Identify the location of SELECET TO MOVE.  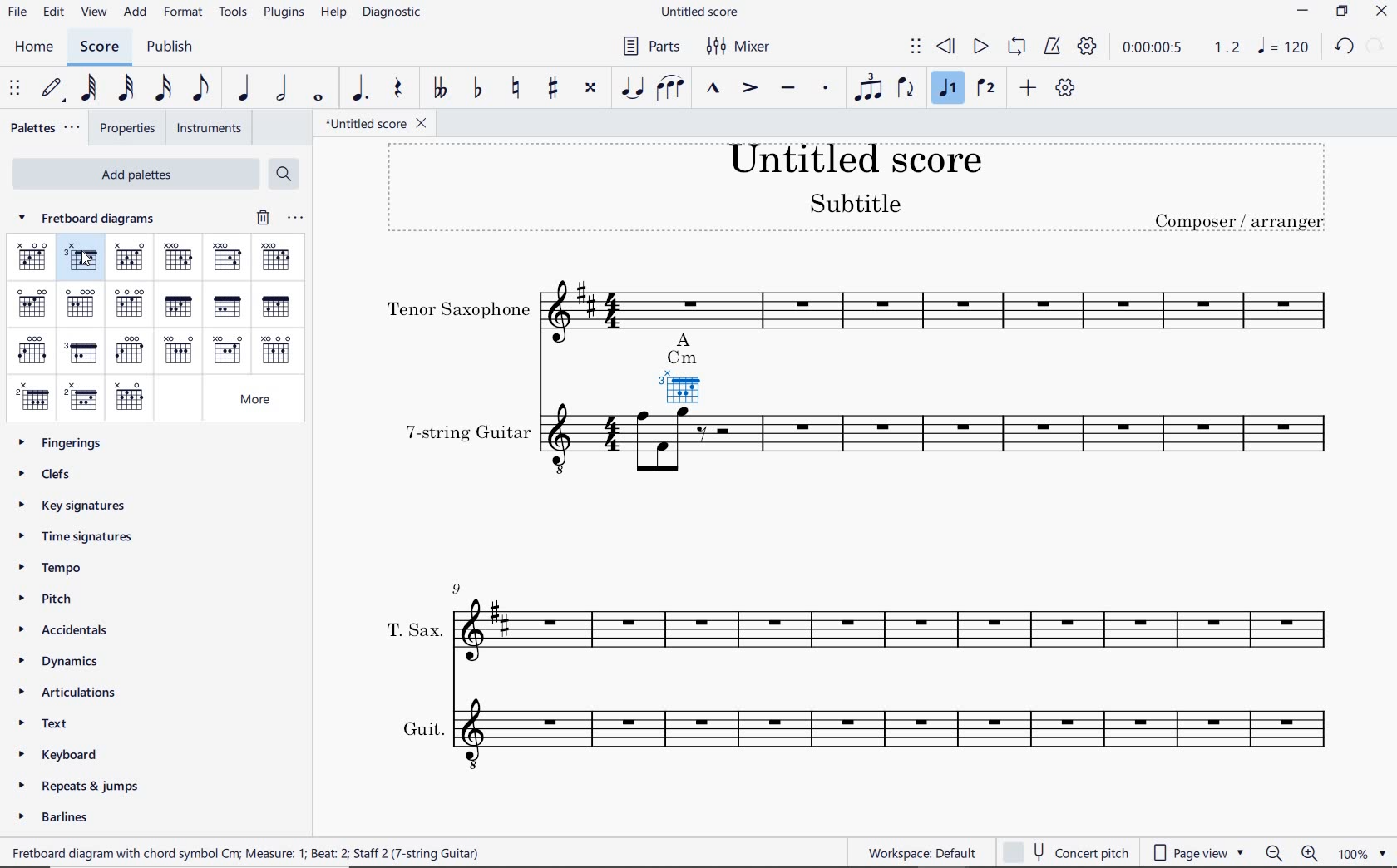
(16, 90).